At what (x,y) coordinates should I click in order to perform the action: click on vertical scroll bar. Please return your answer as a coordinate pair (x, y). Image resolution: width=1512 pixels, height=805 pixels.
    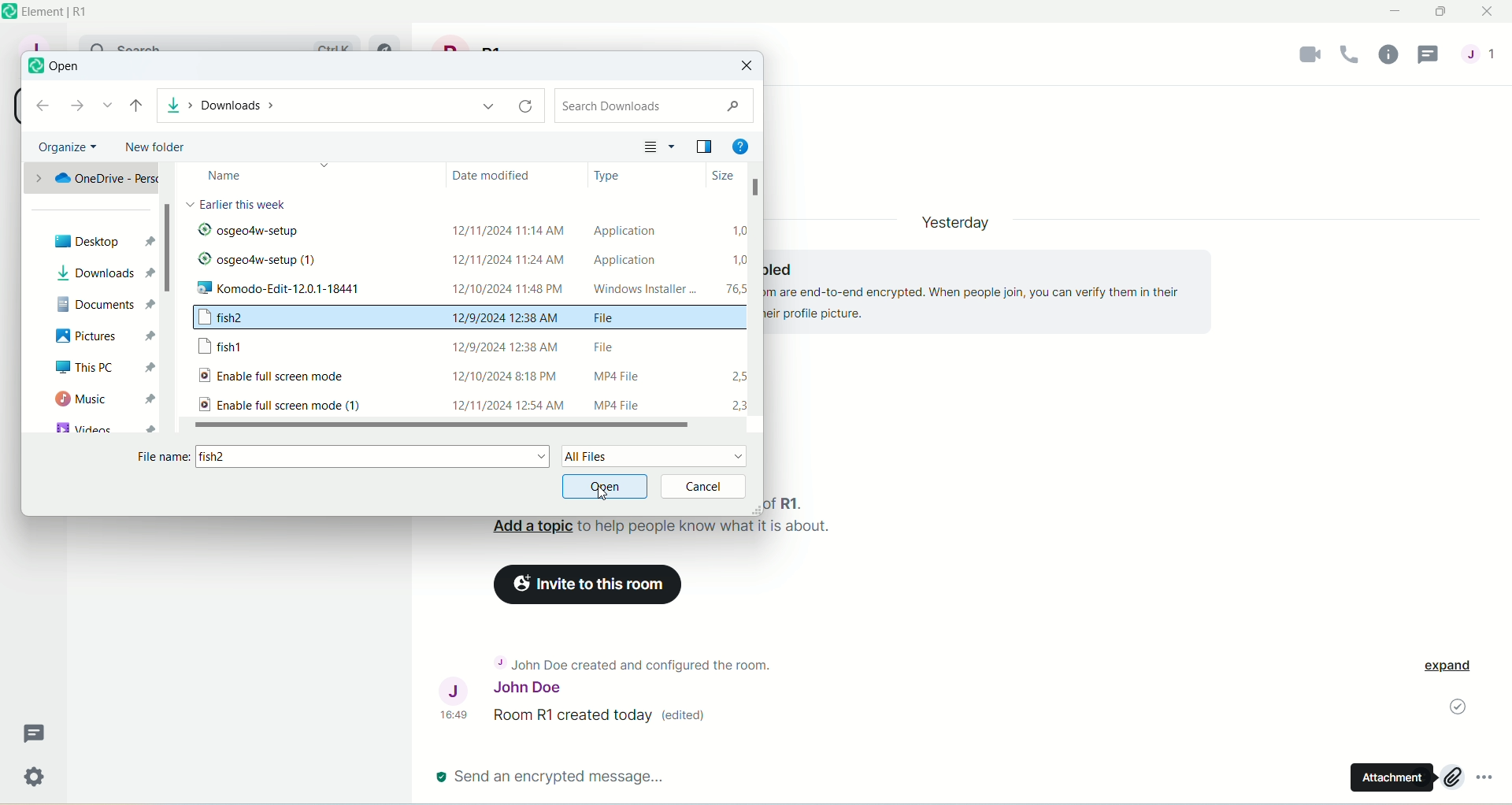
    Looking at the image, I should click on (754, 300).